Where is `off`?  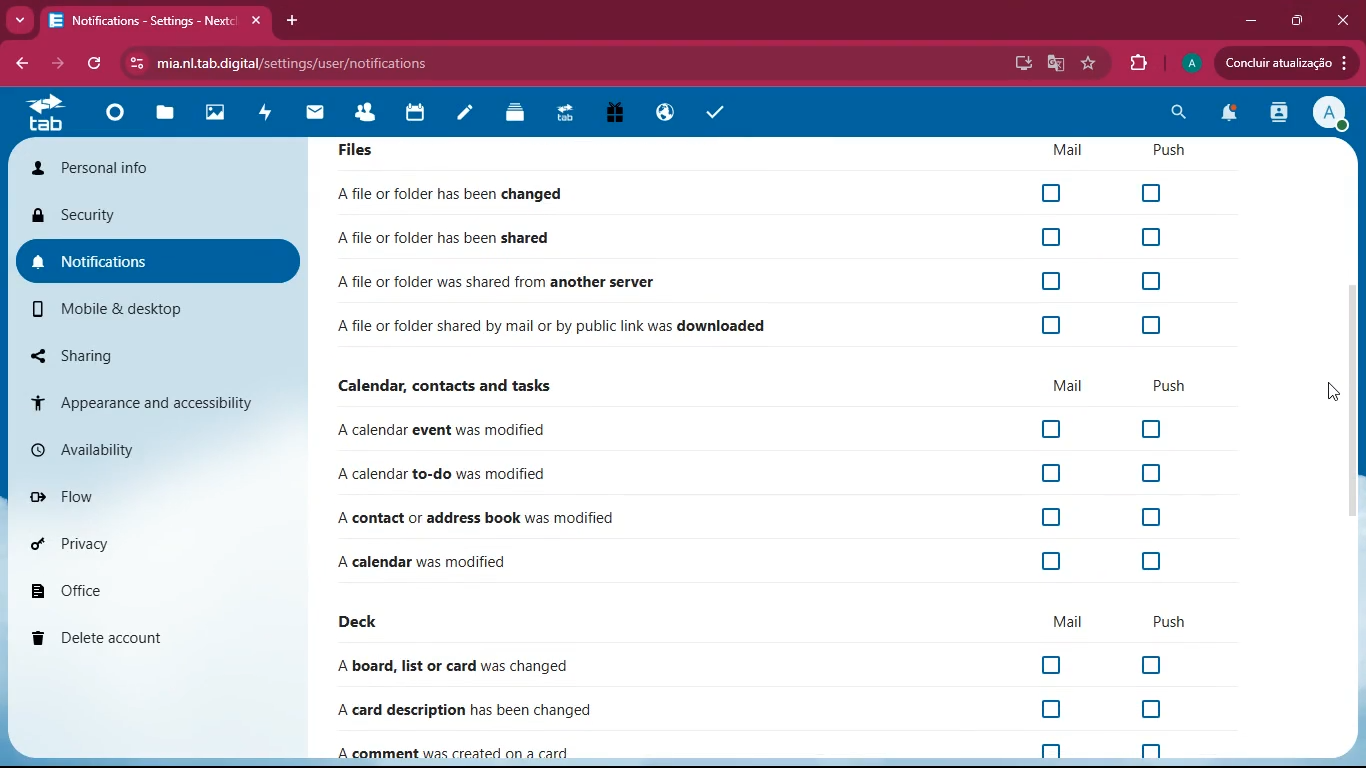
off is located at coordinates (1052, 563).